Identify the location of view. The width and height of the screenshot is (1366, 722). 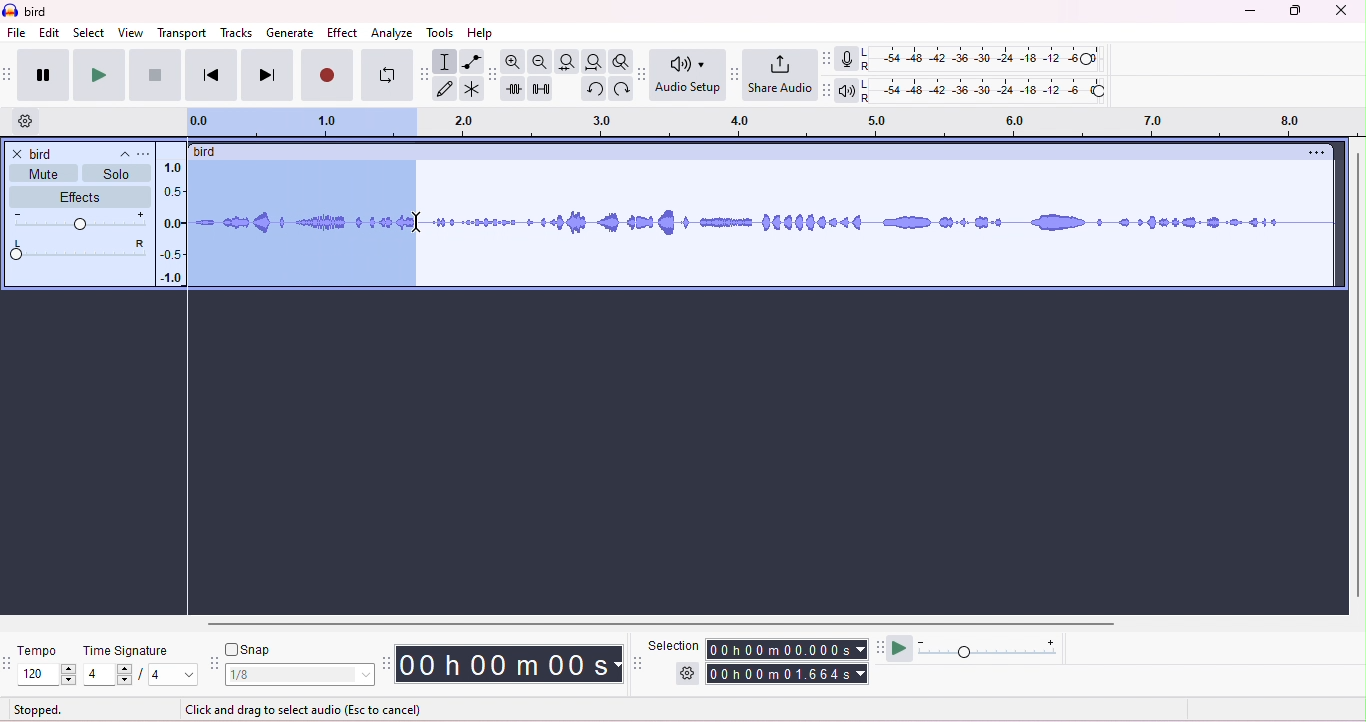
(130, 33).